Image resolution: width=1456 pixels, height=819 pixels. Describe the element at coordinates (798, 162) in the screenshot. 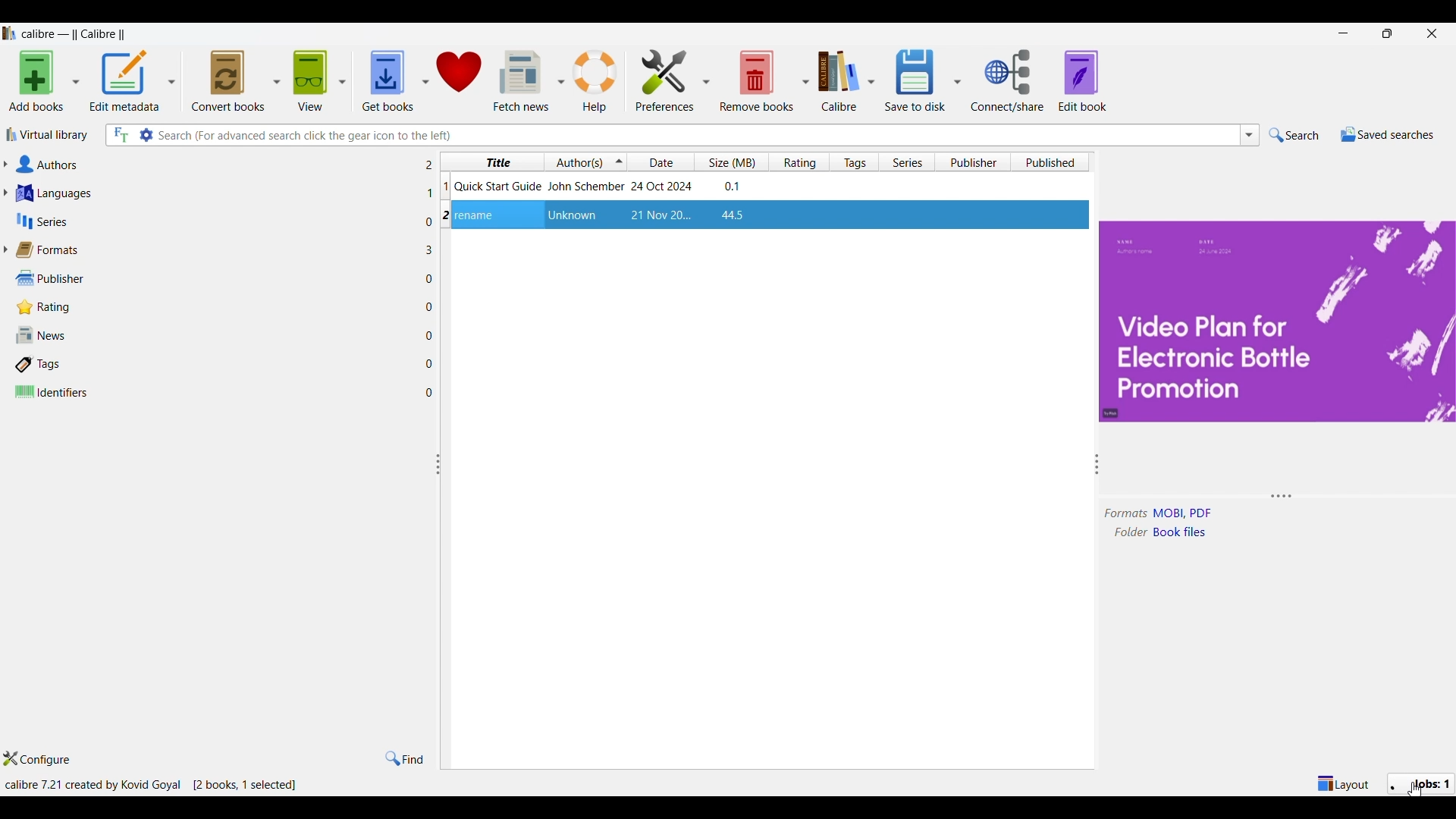

I see `Rating column` at that location.